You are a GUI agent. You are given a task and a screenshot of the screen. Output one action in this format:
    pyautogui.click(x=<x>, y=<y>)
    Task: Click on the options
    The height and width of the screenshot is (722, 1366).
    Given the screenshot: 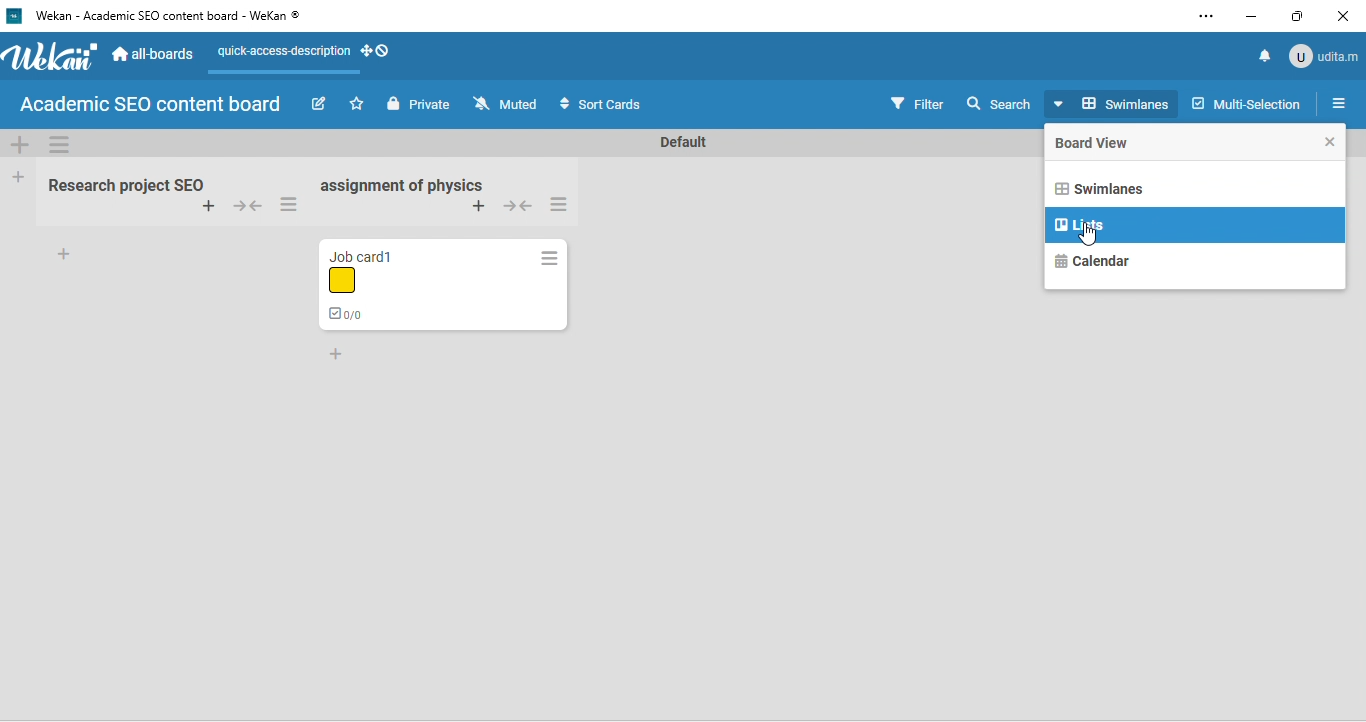 What is the action you would take?
    pyautogui.click(x=1206, y=15)
    